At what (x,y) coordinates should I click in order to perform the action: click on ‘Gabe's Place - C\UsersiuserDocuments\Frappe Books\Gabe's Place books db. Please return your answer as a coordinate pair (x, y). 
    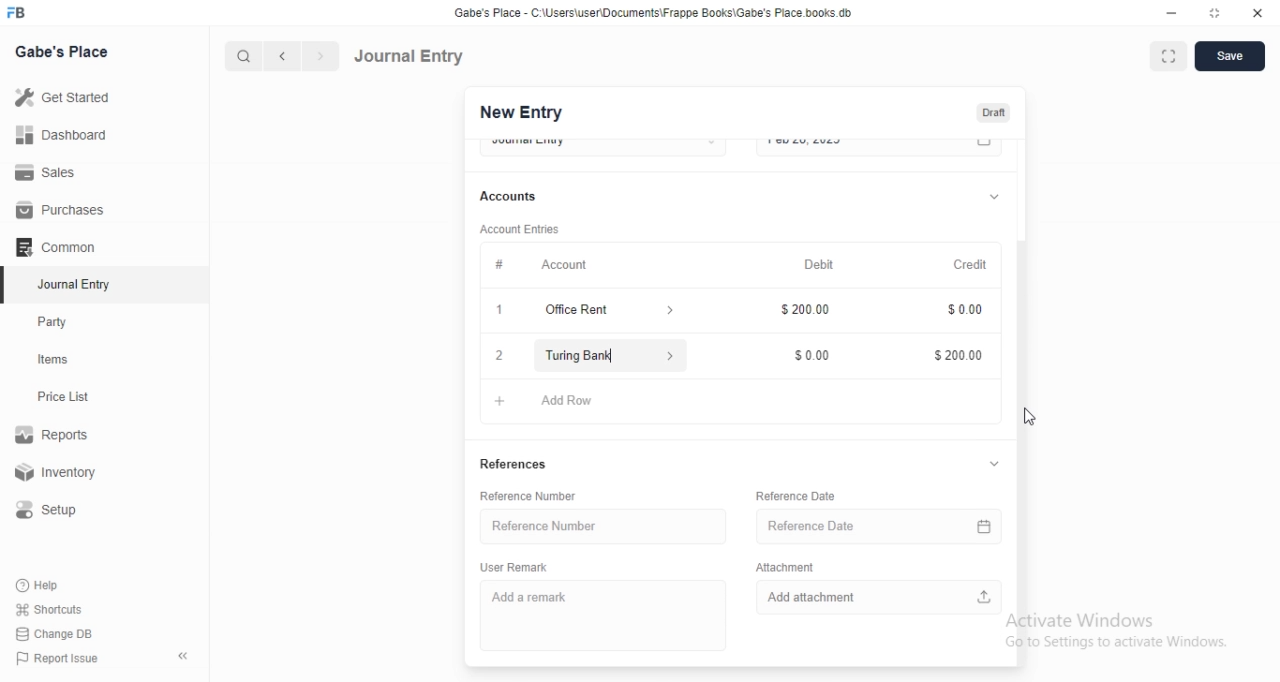
    Looking at the image, I should click on (669, 12).